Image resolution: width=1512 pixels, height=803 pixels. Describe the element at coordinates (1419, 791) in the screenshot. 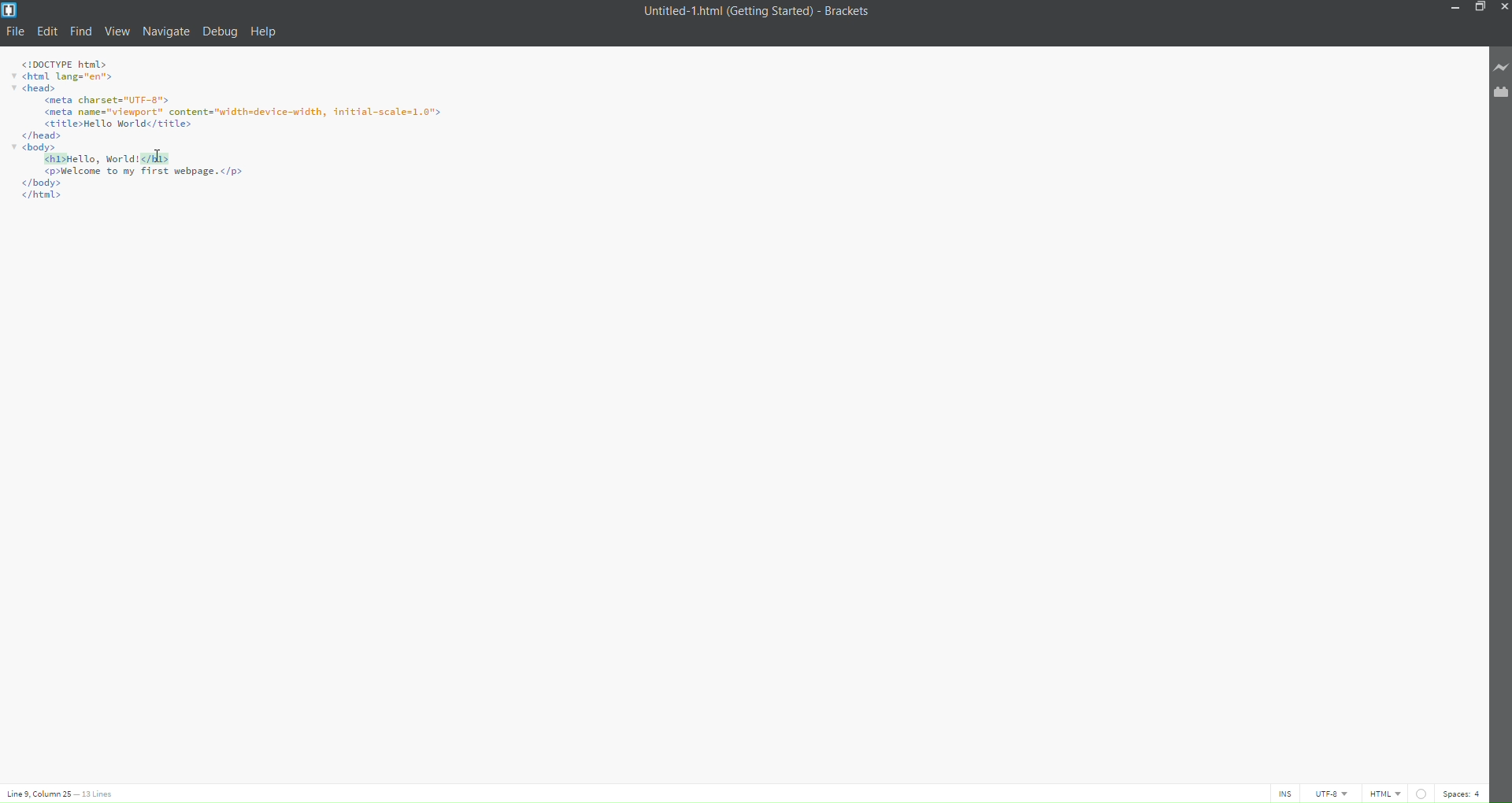

I see `linting` at that location.